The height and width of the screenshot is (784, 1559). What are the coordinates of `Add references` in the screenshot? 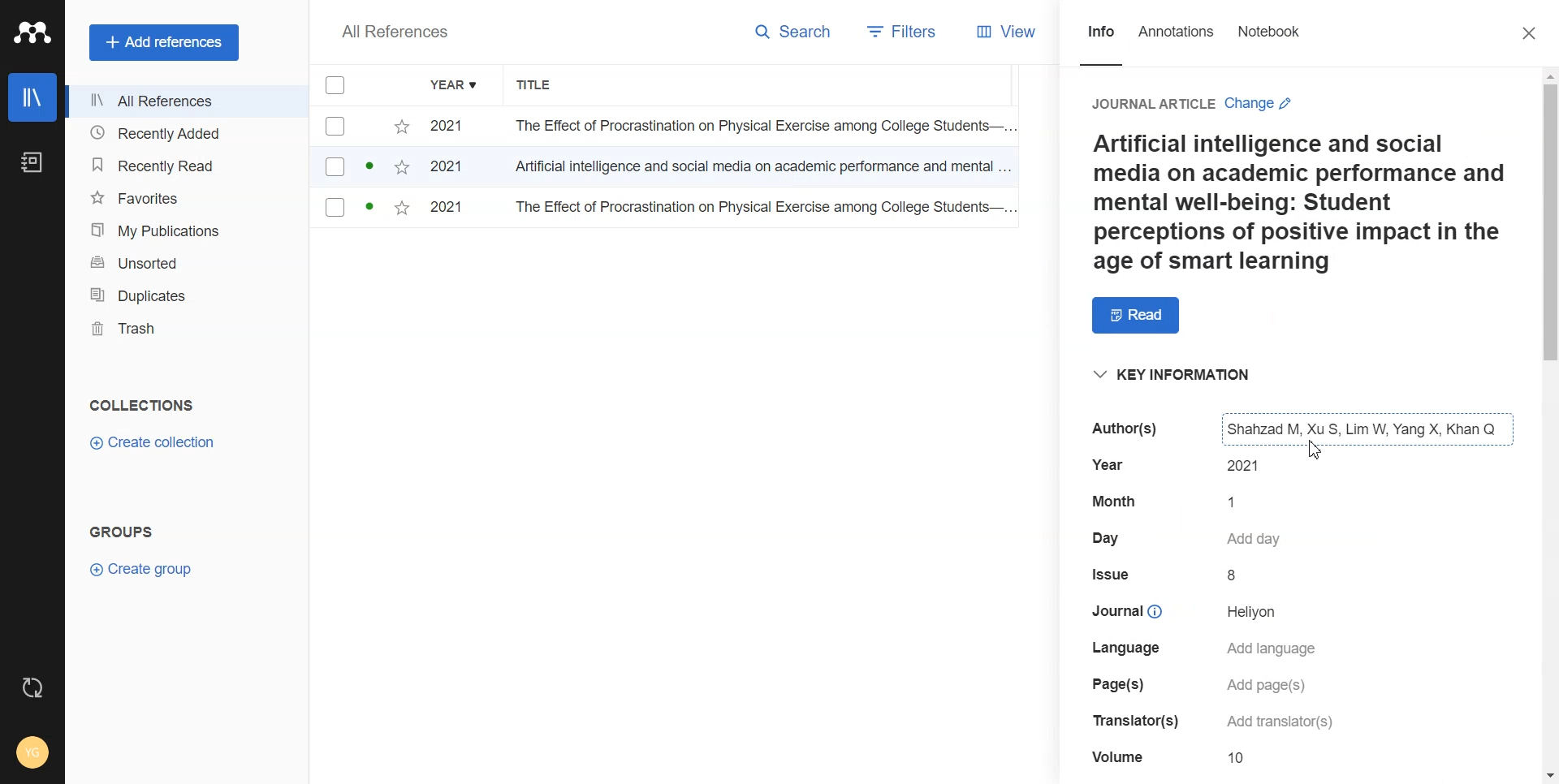 It's located at (166, 42).